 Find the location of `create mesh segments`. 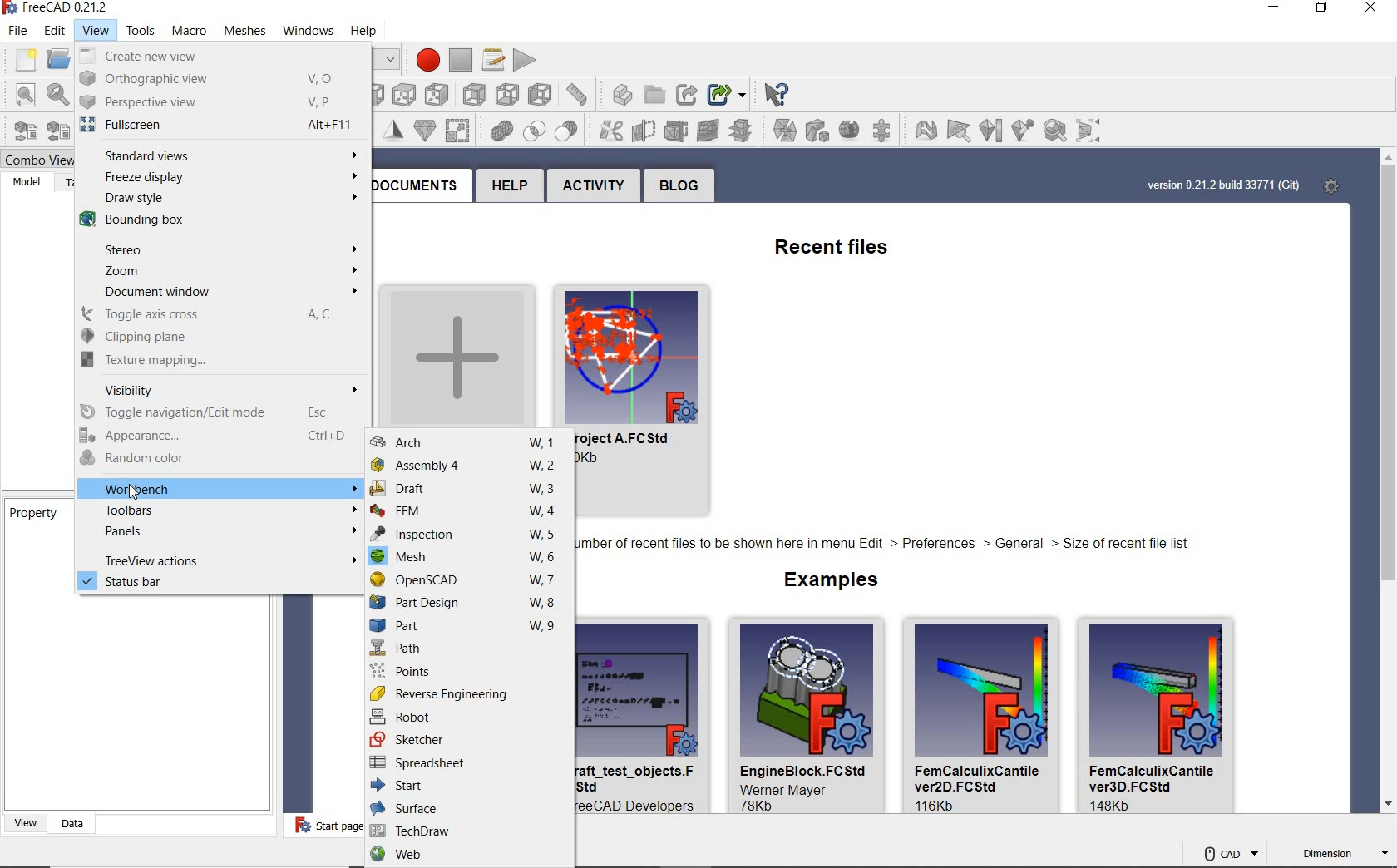

create mesh segments is located at coordinates (816, 131).